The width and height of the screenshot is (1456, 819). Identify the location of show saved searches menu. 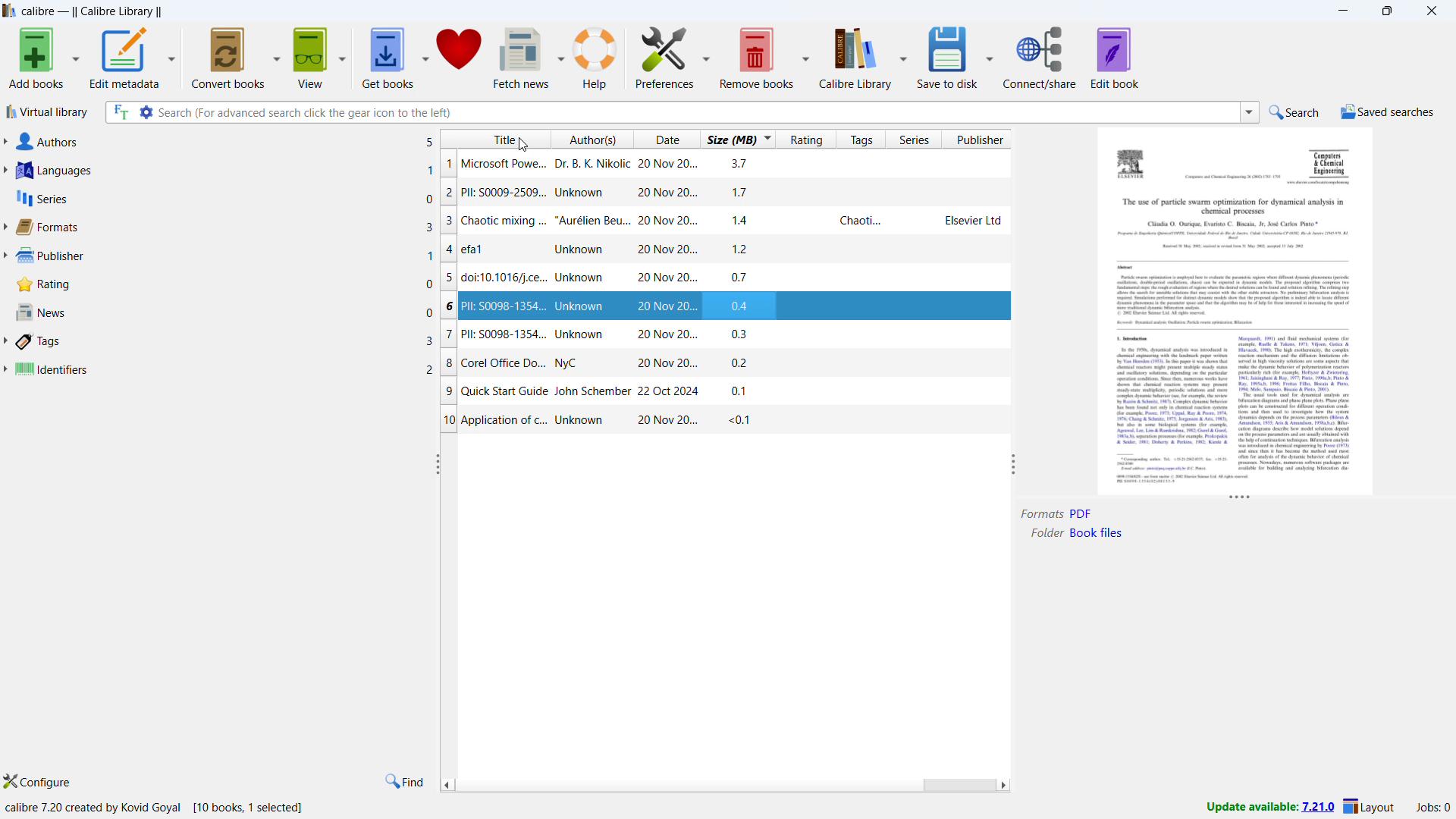
(1387, 113).